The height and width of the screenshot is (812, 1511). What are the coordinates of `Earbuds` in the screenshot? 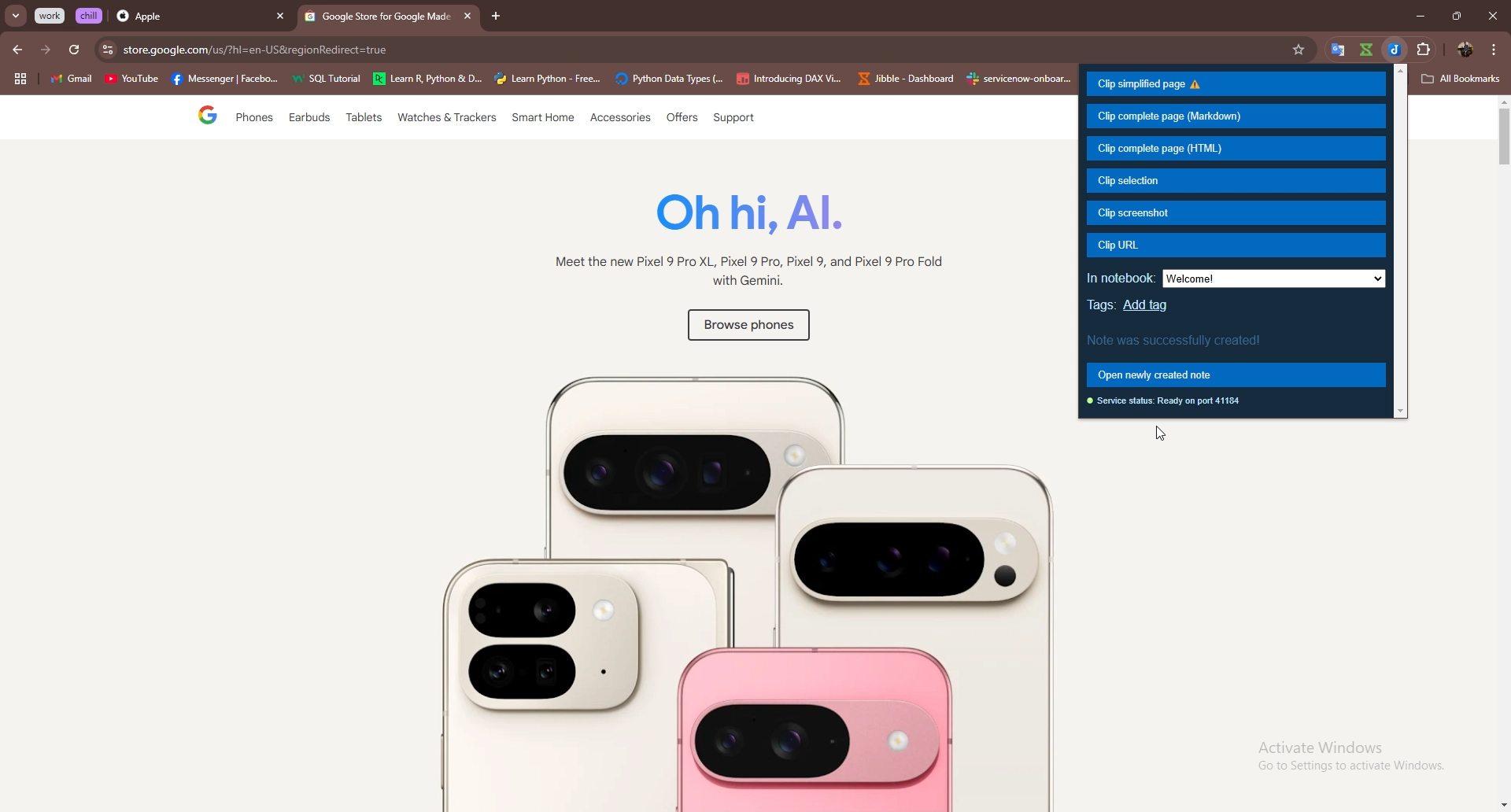 It's located at (311, 121).